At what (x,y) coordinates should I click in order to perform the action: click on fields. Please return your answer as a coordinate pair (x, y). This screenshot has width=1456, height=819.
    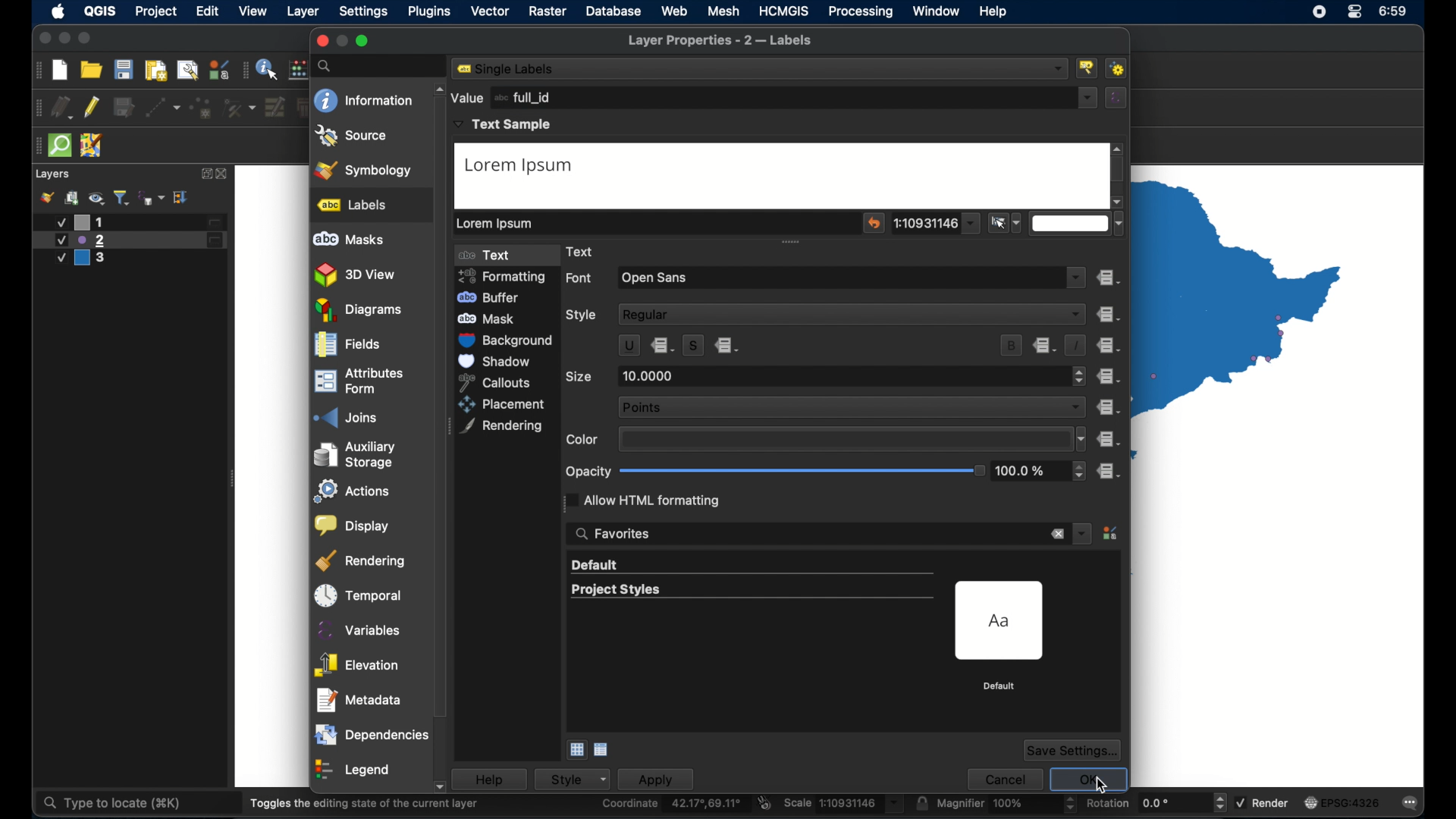
    Looking at the image, I should click on (347, 345).